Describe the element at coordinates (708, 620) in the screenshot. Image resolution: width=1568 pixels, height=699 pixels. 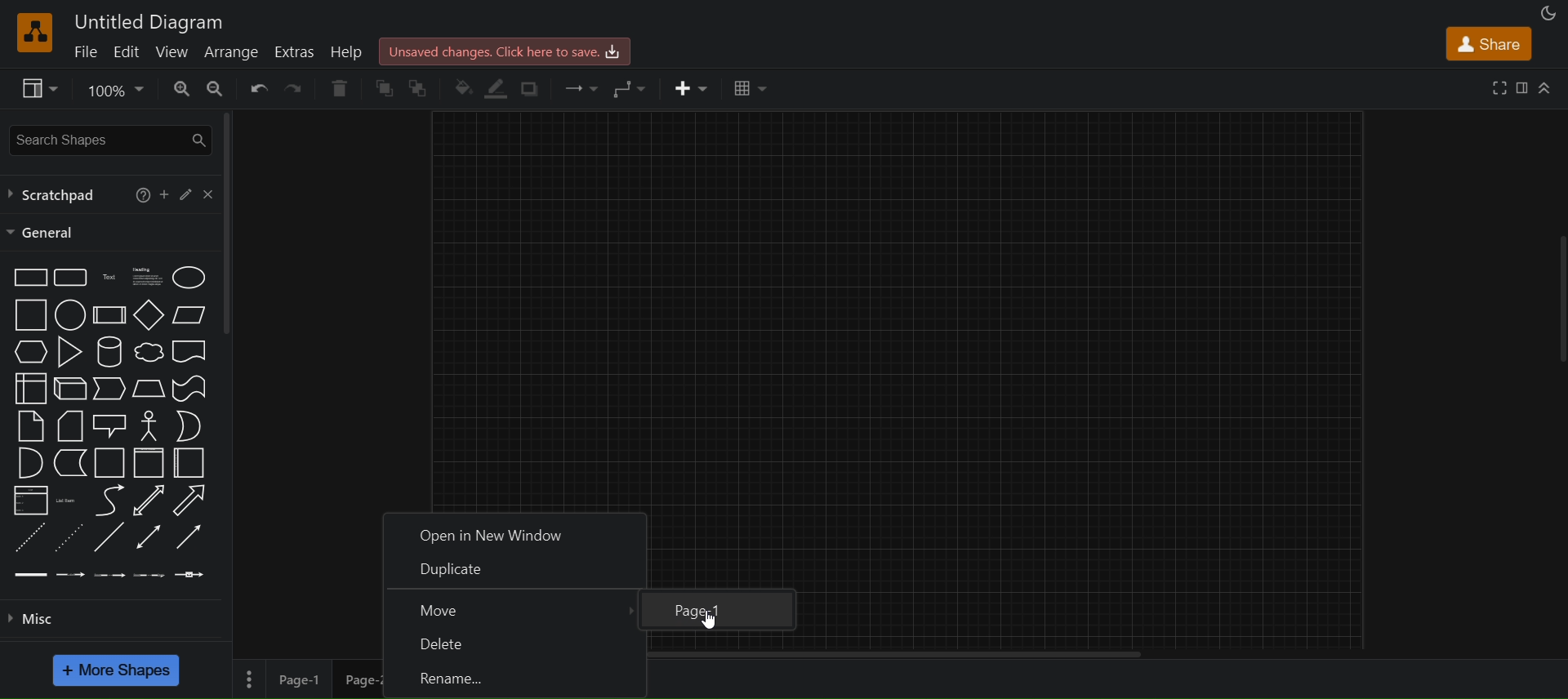
I see `cursor` at that location.